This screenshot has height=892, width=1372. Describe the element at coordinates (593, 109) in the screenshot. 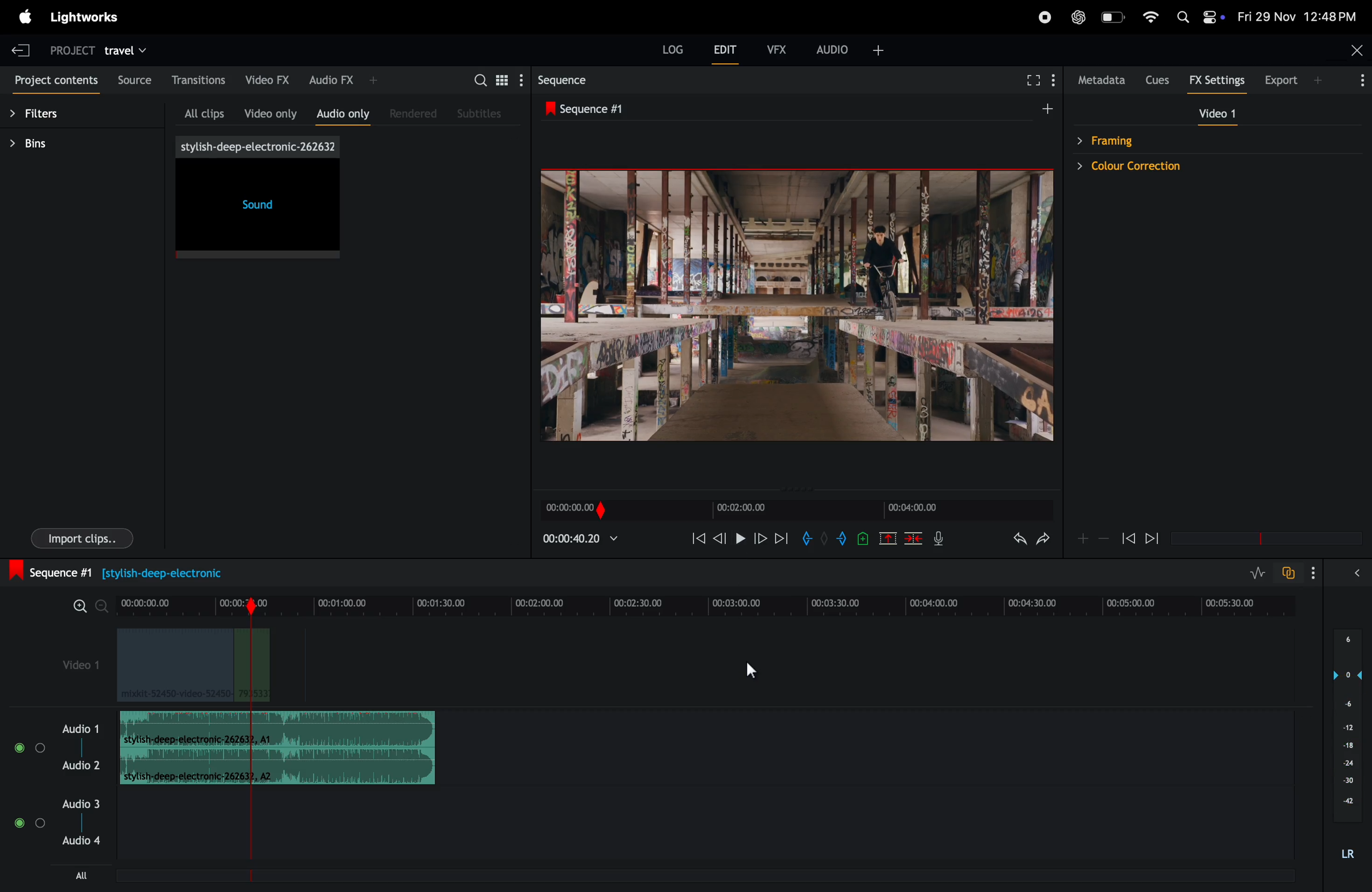

I see `sequence #1` at that location.